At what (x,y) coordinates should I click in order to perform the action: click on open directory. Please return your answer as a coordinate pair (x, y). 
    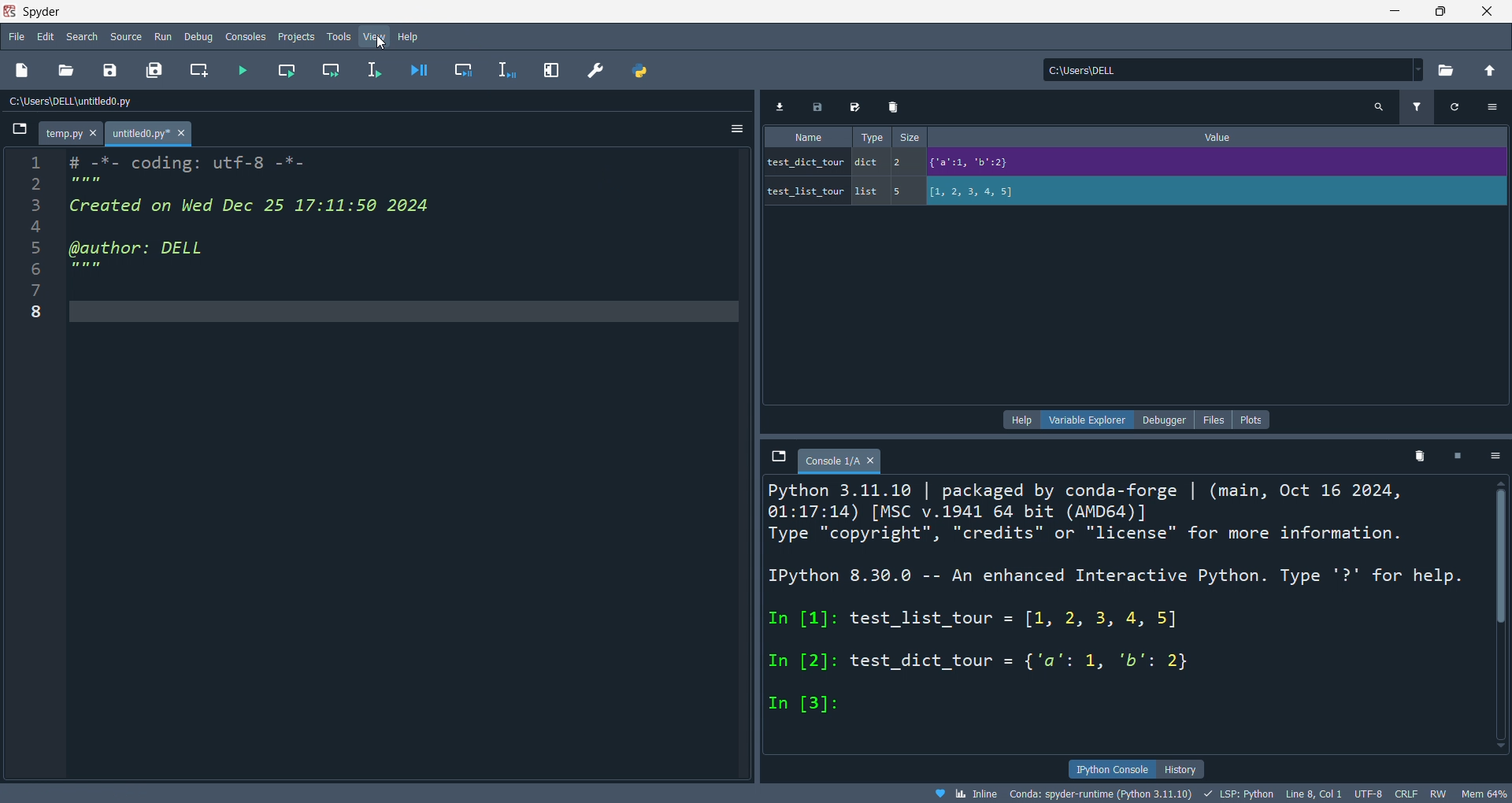
    Looking at the image, I should click on (1445, 71).